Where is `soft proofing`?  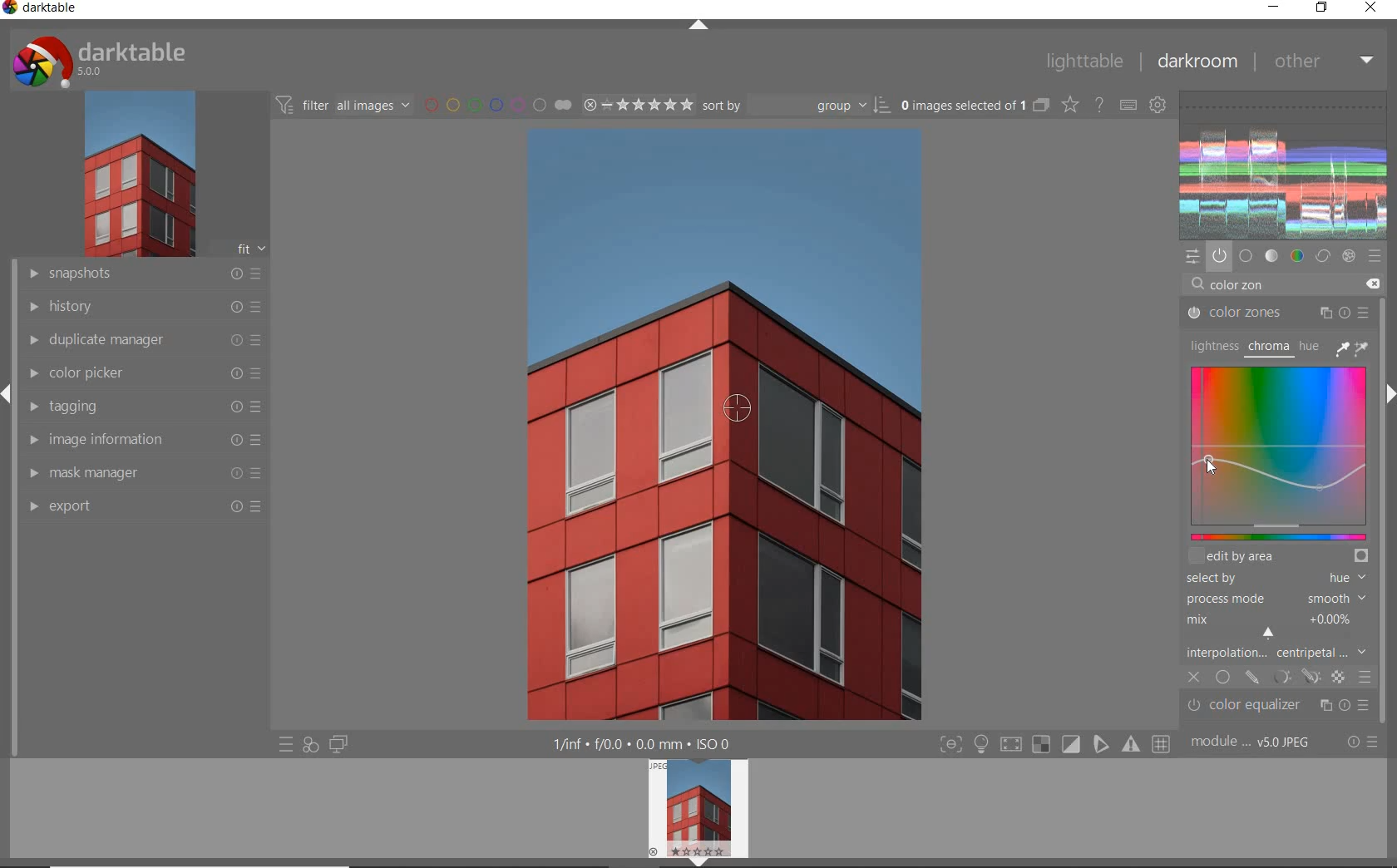 soft proofing is located at coordinates (1072, 744).